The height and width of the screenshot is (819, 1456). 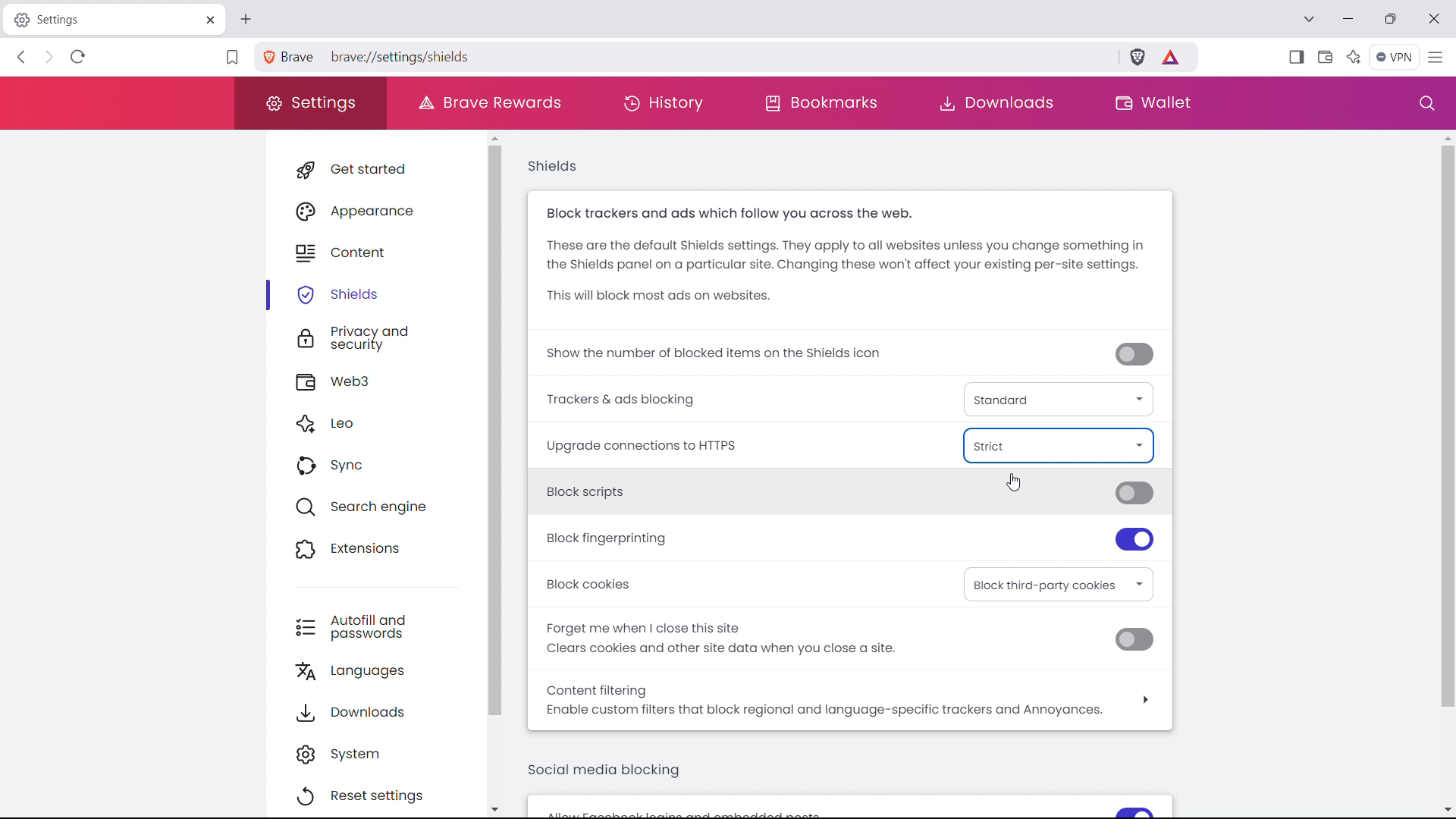 What do you see at coordinates (488, 102) in the screenshot?
I see `brave rewards` at bounding box center [488, 102].